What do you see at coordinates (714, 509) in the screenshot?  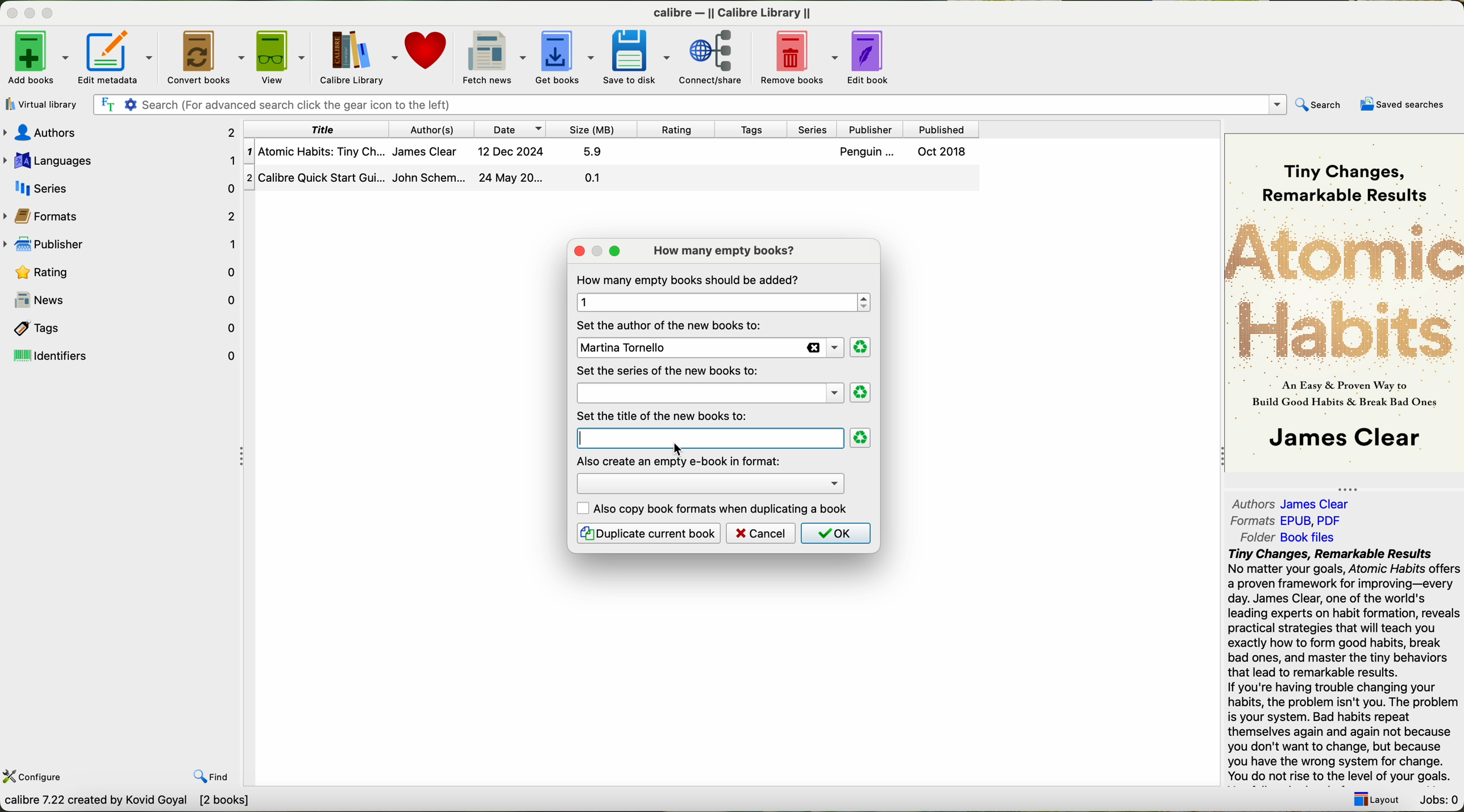 I see `also copy book formats when duplicating a book` at bounding box center [714, 509].